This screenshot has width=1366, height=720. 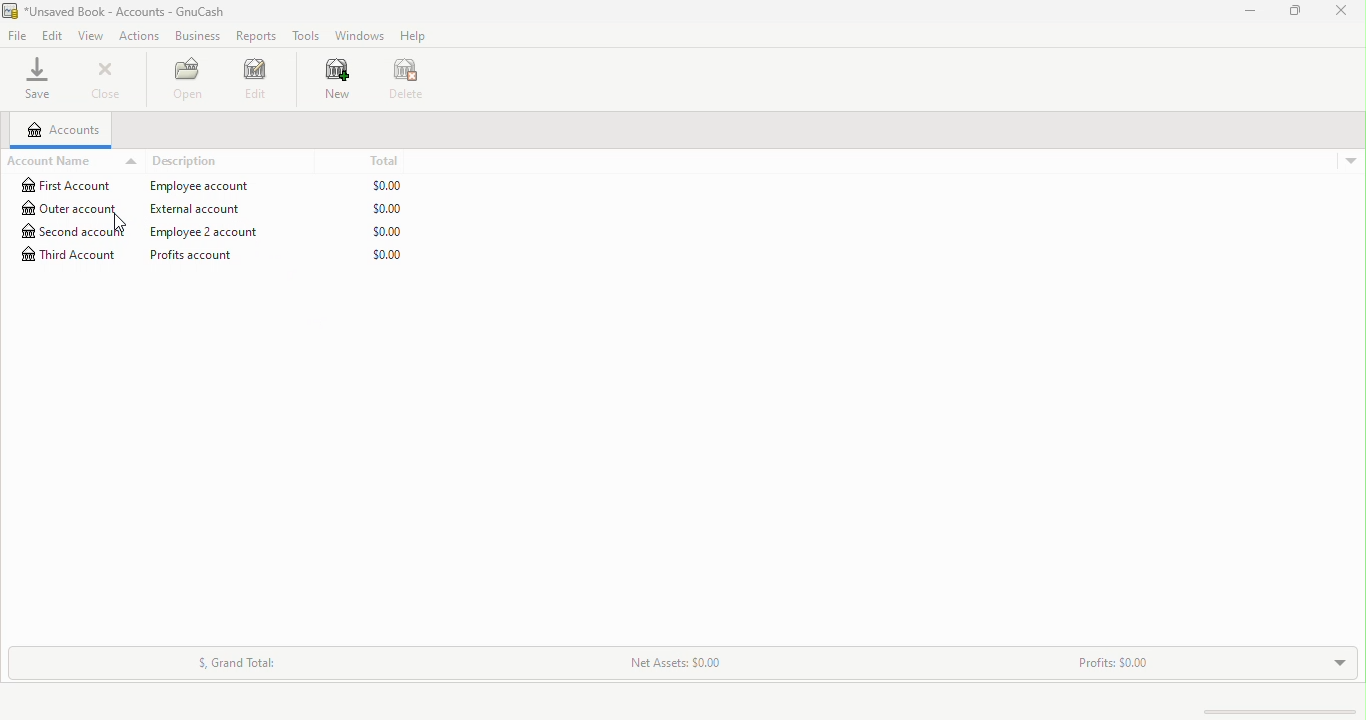 I want to click on New, so click(x=338, y=83).